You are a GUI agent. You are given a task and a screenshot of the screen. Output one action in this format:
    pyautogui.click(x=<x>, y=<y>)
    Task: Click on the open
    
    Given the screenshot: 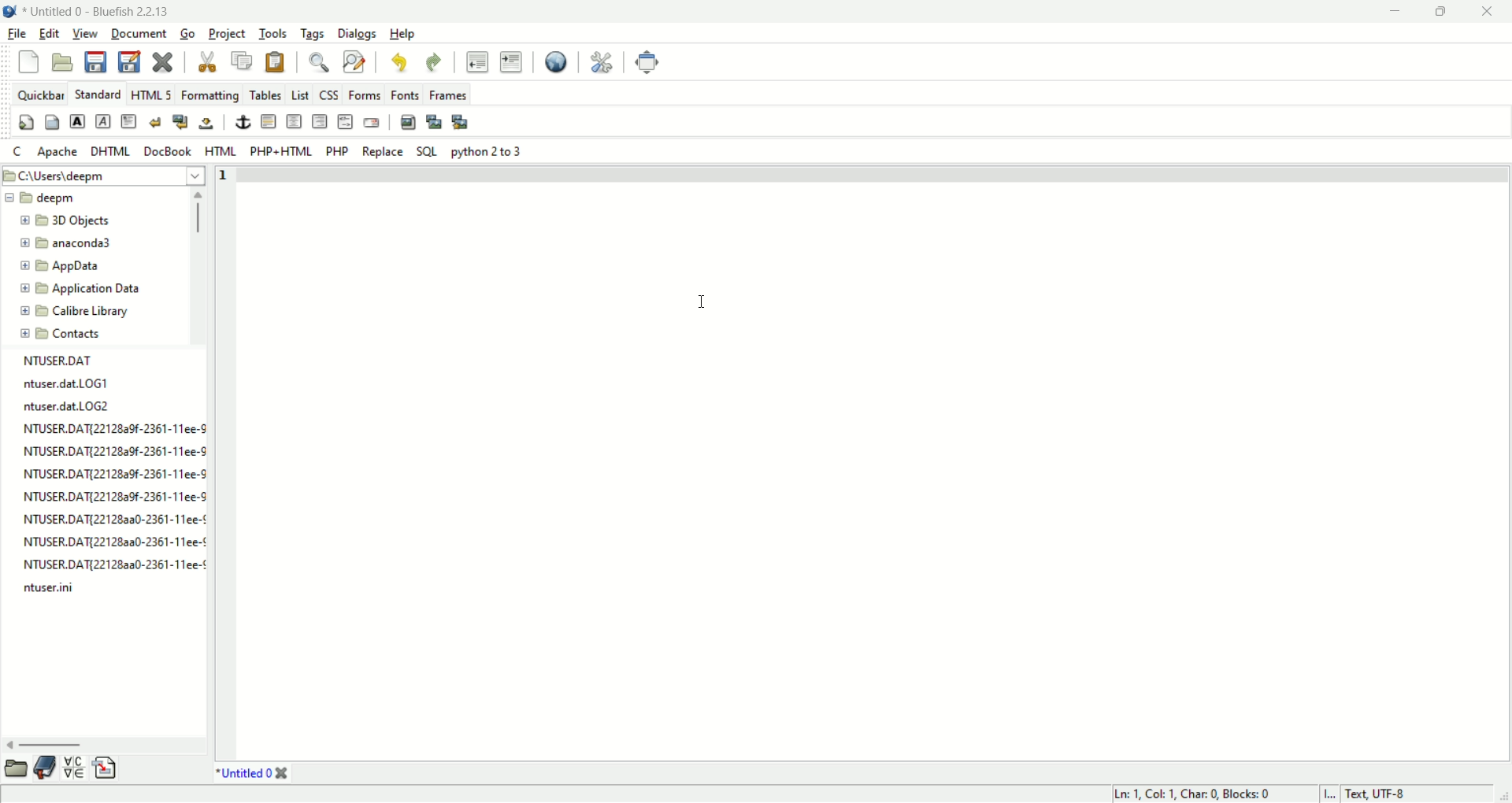 What is the action you would take?
    pyautogui.click(x=62, y=62)
    